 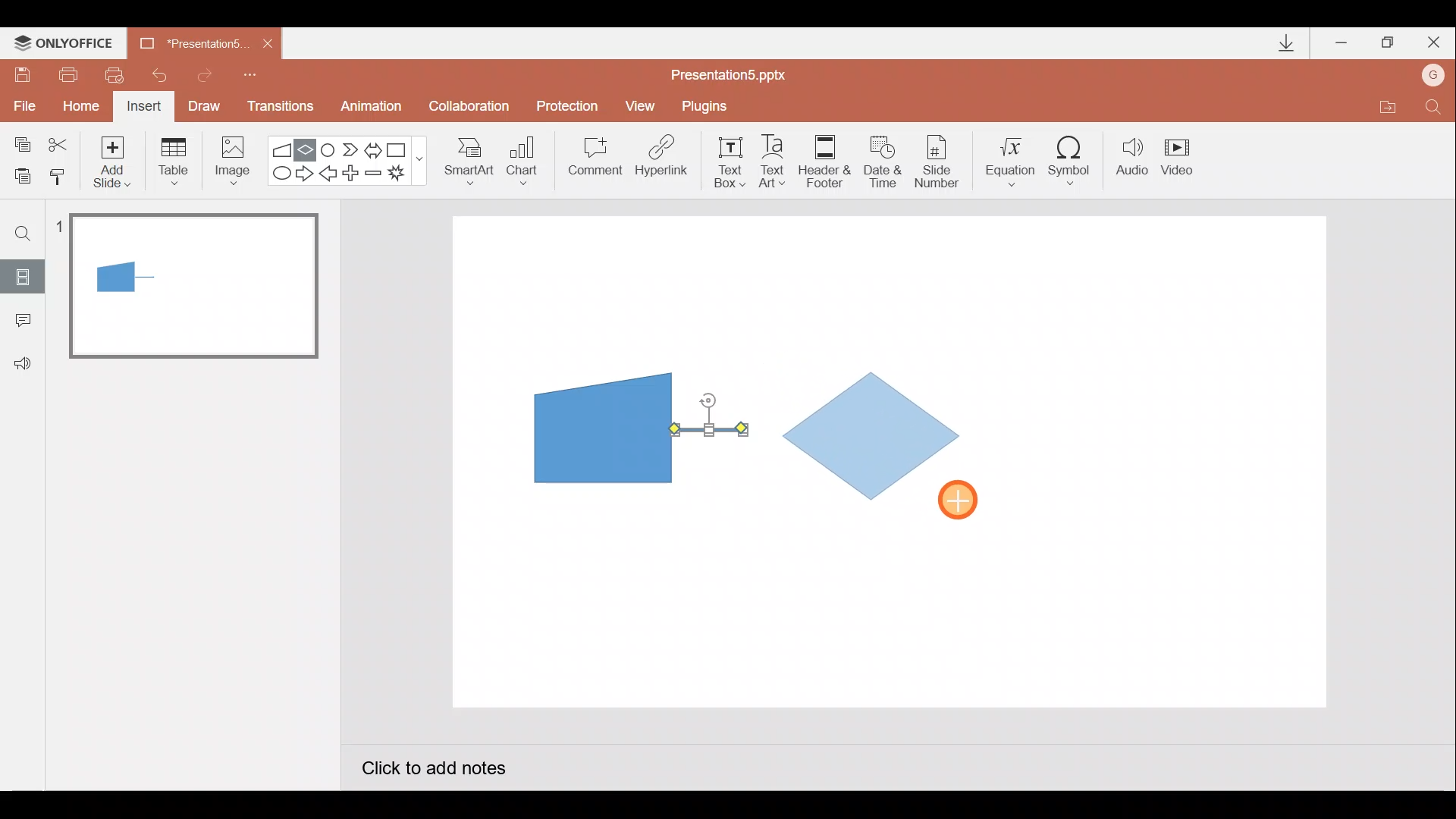 I want to click on Transitions, so click(x=278, y=108).